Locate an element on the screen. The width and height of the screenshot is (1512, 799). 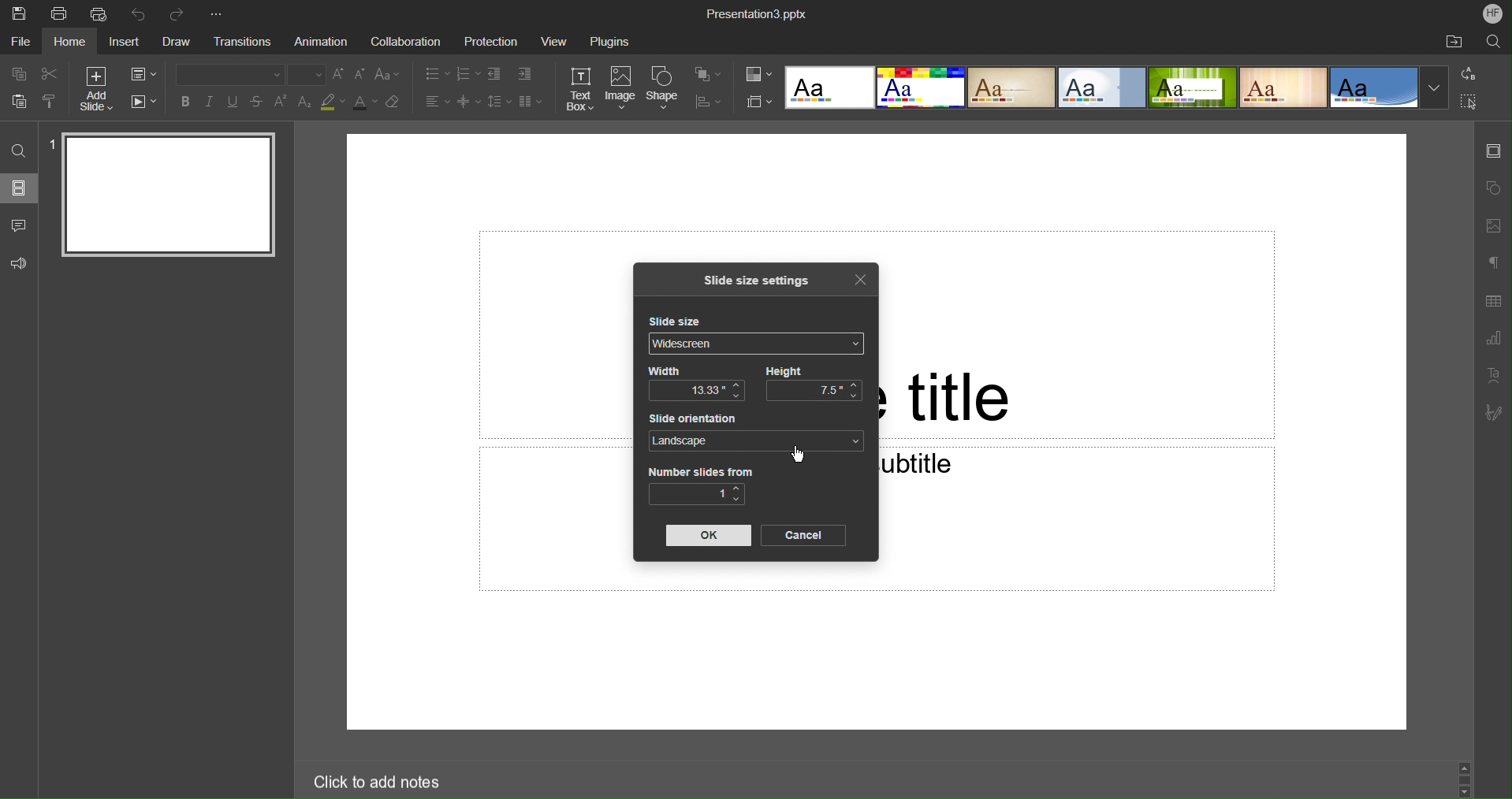
Superscript is located at coordinates (281, 102).